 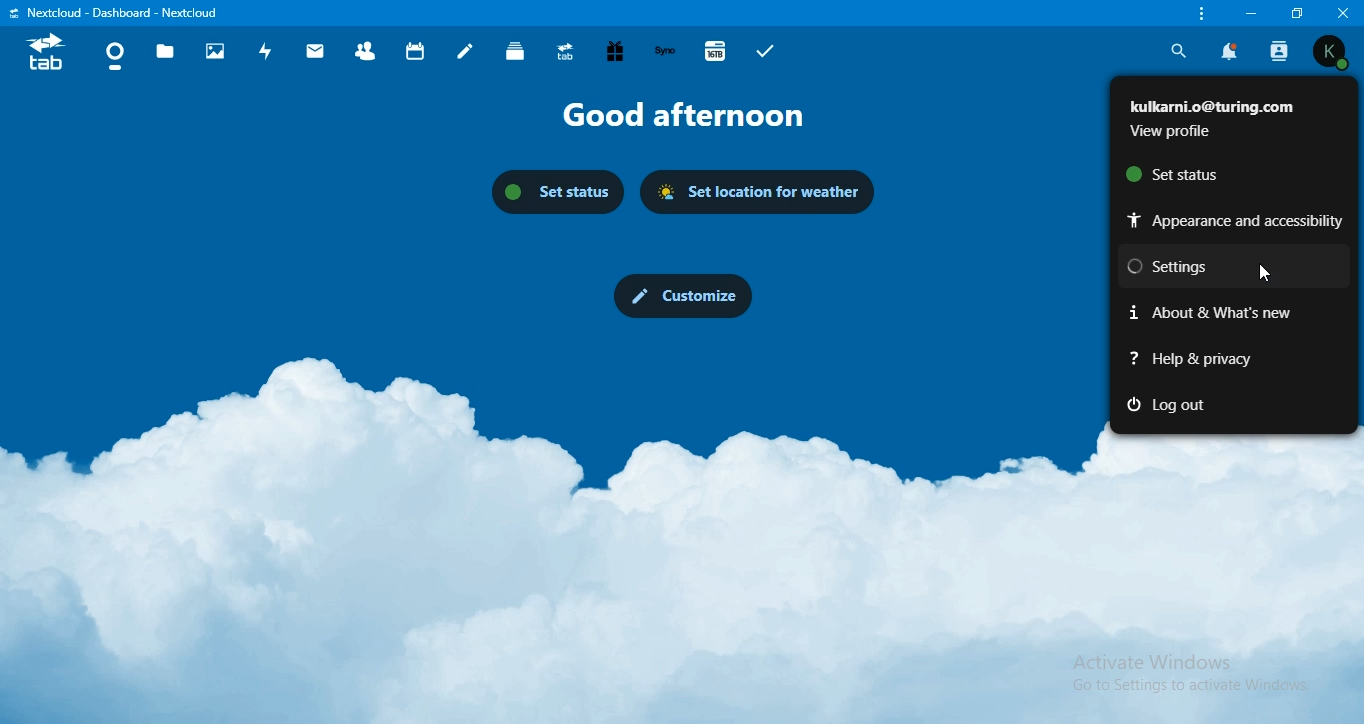 What do you see at coordinates (315, 54) in the screenshot?
I see `mail` at bounding box center [315, 54].